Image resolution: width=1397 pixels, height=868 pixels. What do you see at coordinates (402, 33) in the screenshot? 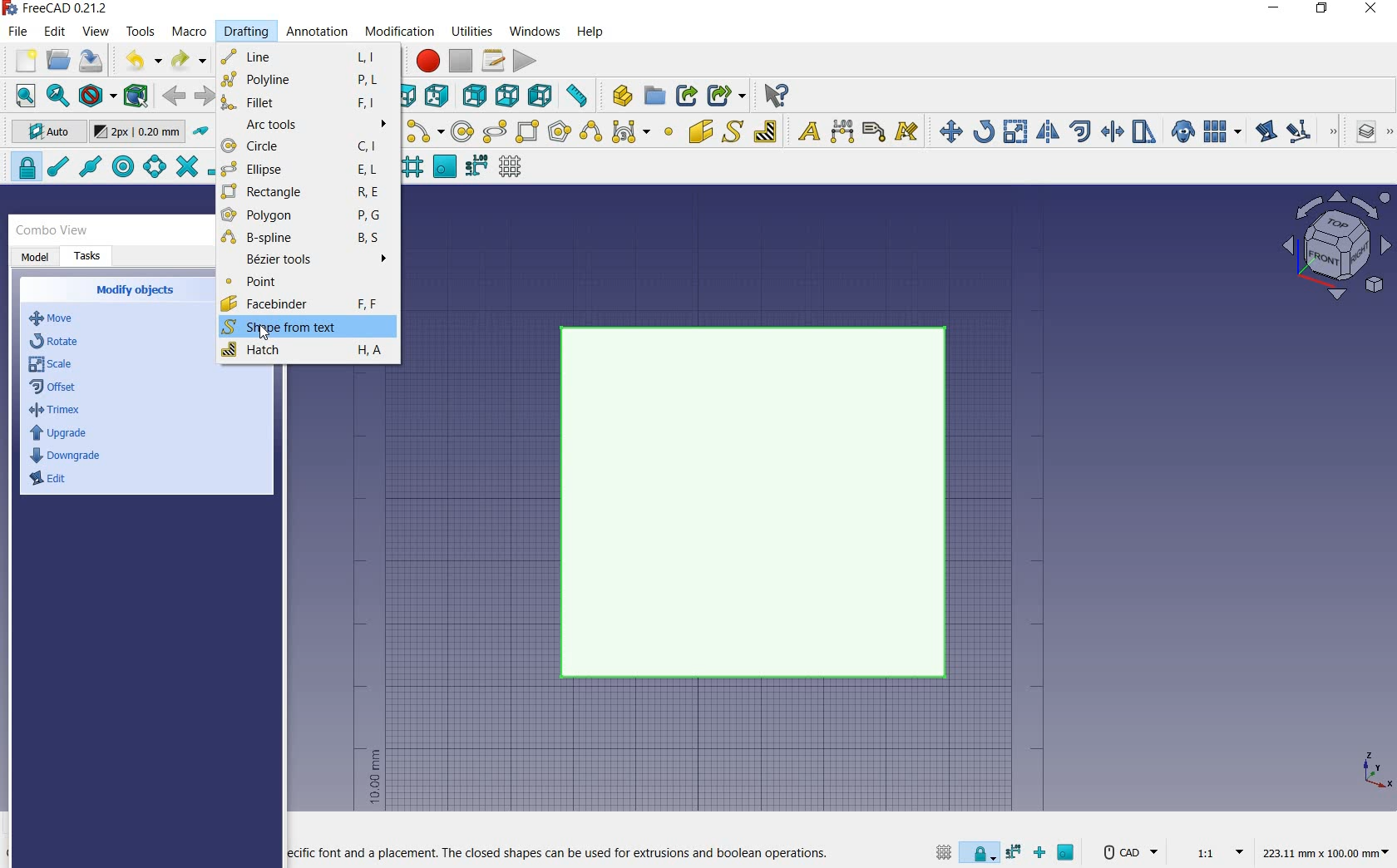
I see `modification` at bounding box center [402, 33].